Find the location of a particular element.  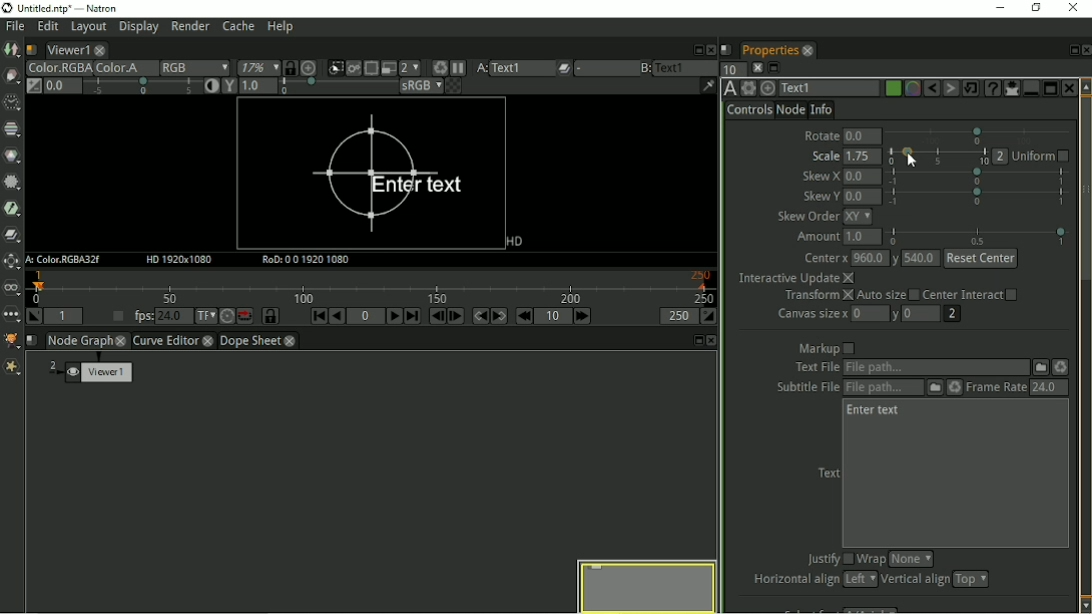

Rotate is located at coordinates (938, 135).